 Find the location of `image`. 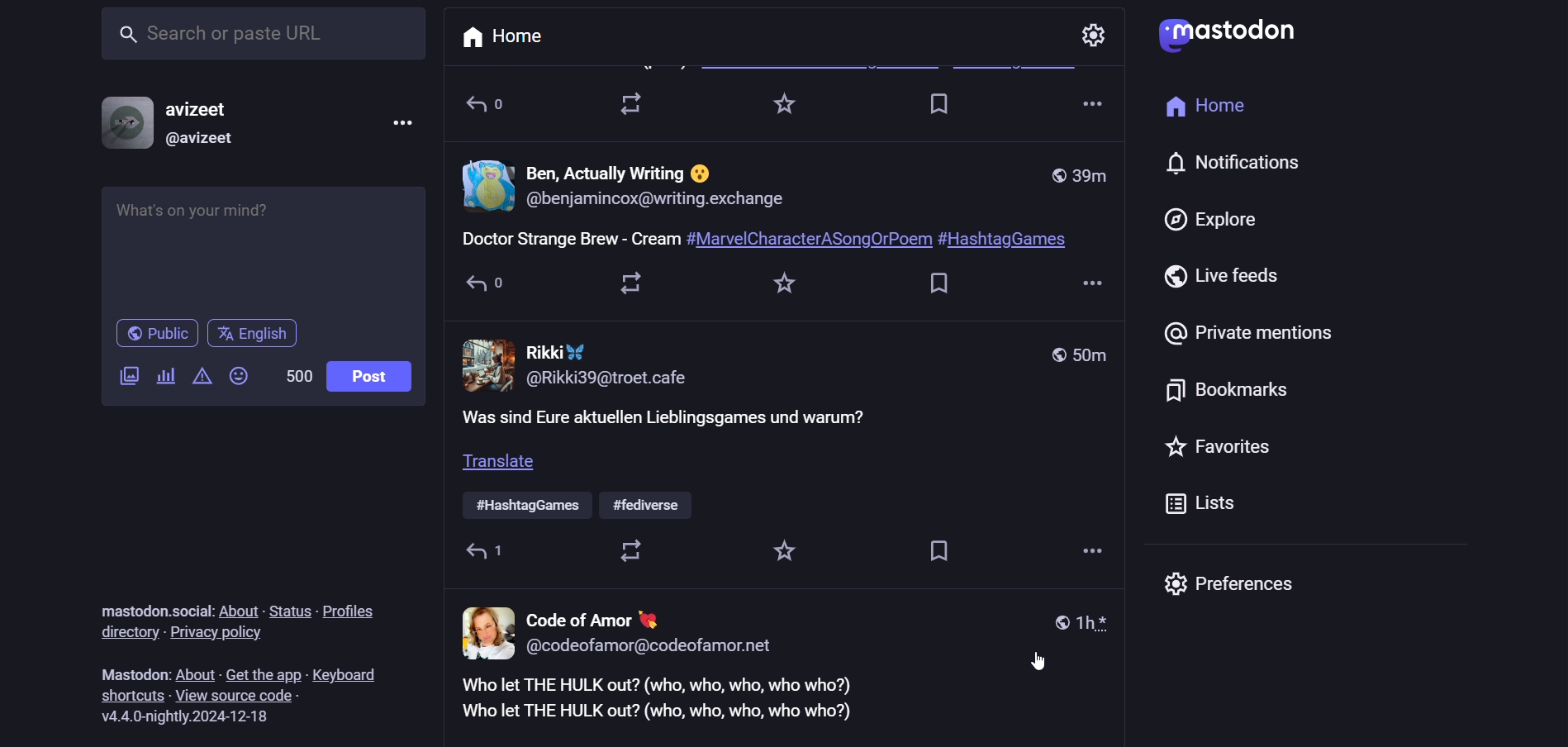

image is located at coordinates (488, 364).